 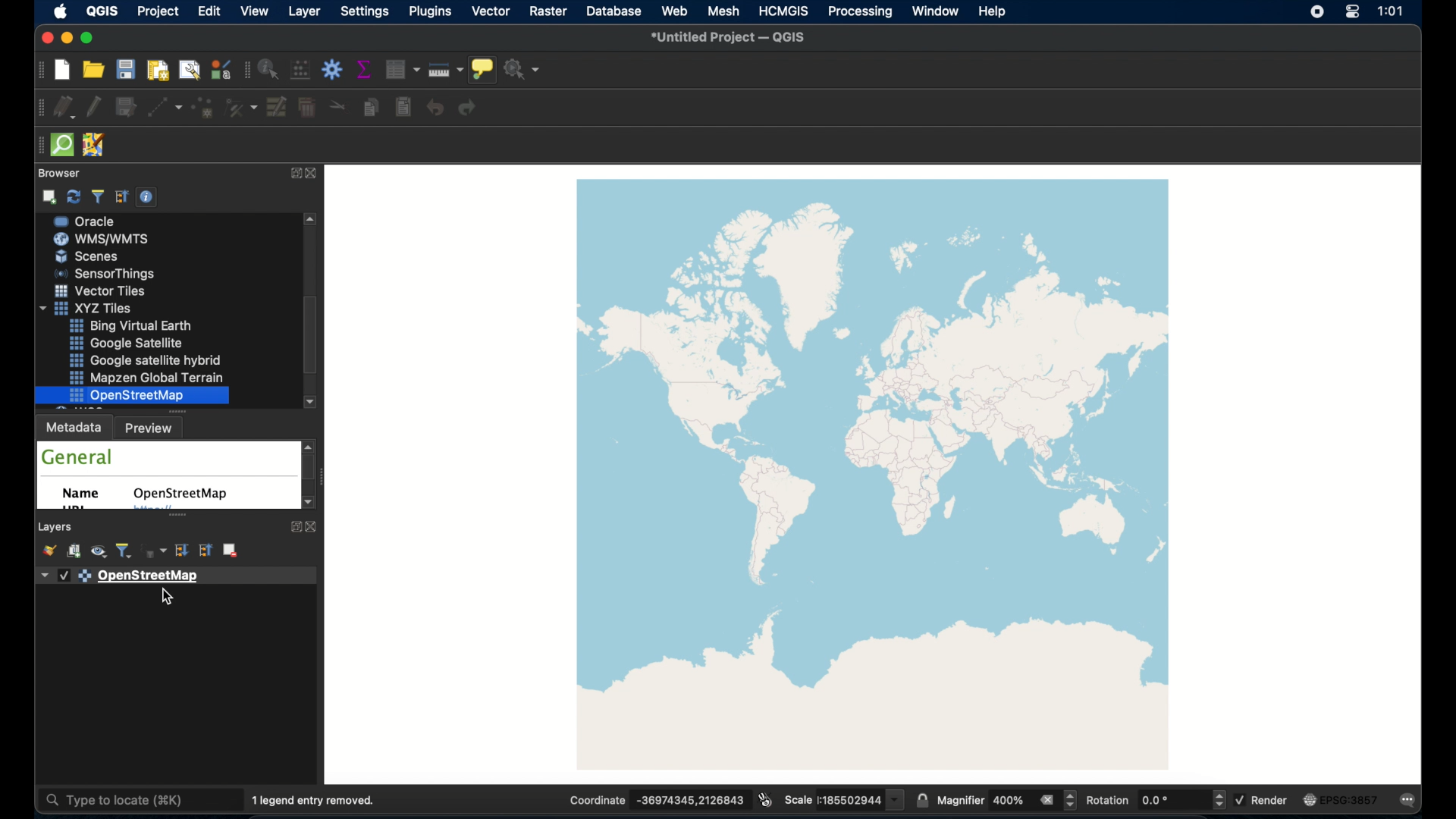 What do you see at coordinates (293, 174) in the screenshot?
I see `expand` at bounding box center [293, 174].